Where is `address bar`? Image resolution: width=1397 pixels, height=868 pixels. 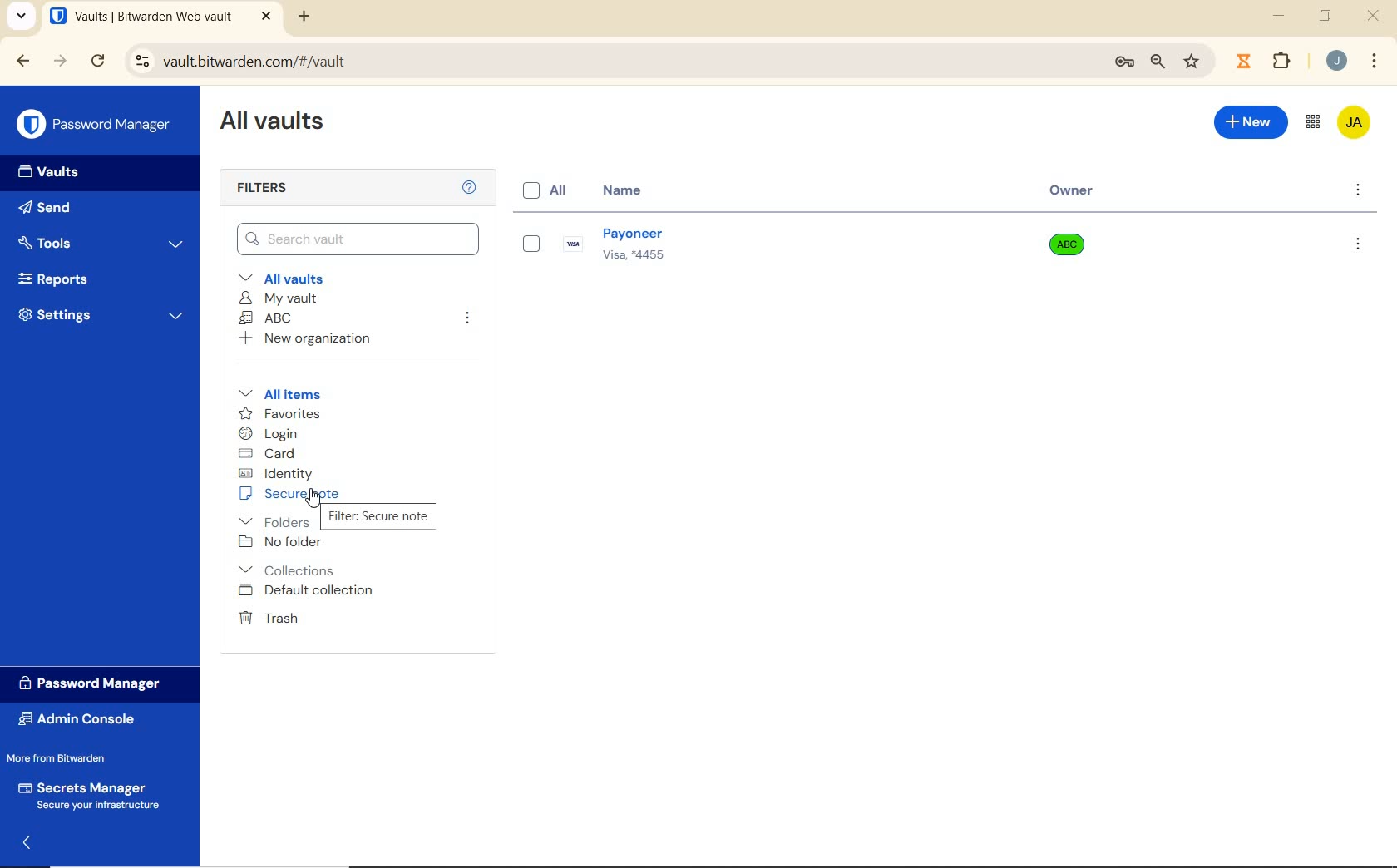 address bar is located at coordinates (607, 62).